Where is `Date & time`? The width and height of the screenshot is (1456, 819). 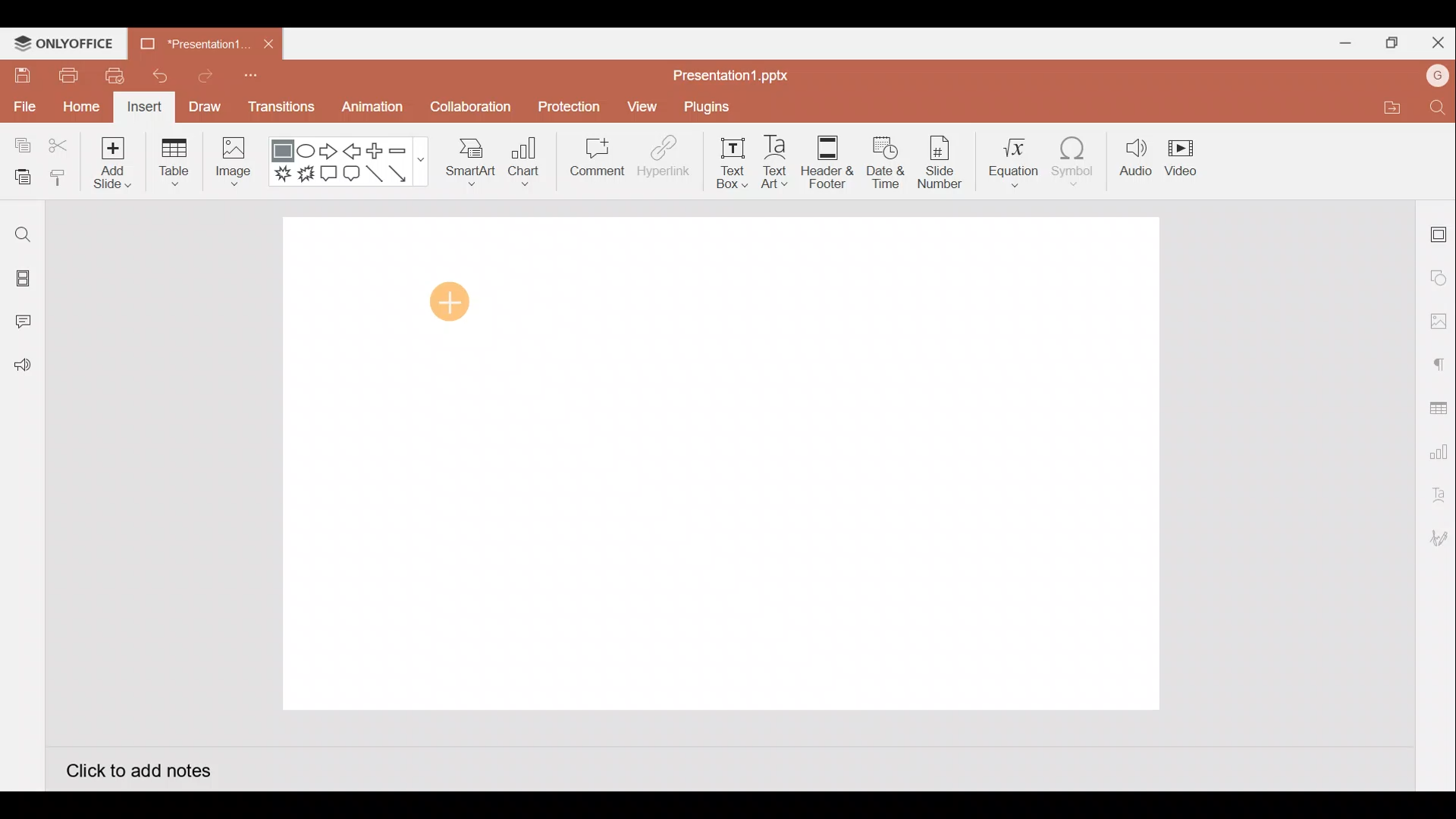 Date & time is located at coordinates (886, 162).